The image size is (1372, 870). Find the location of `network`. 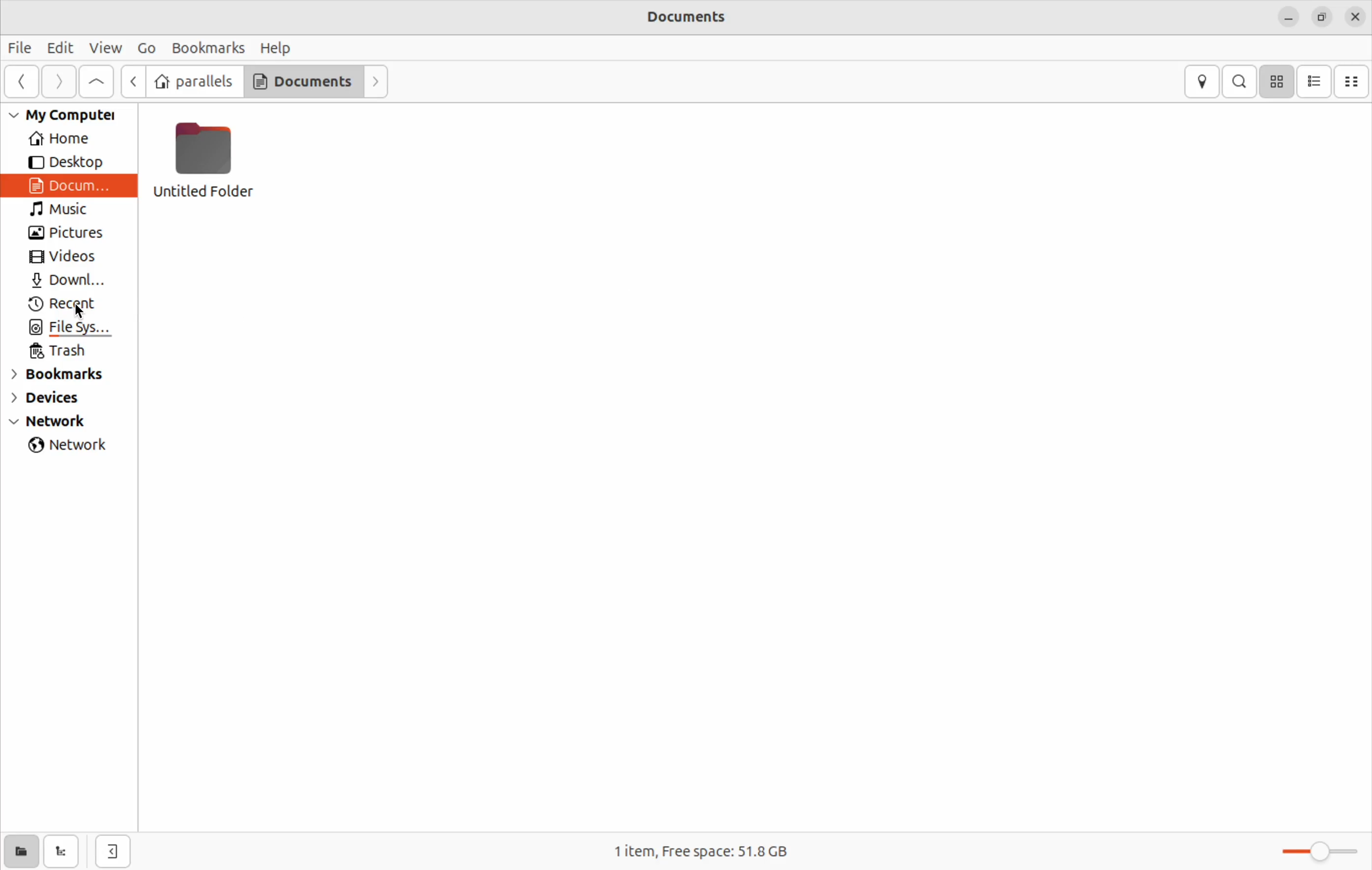

network is located at coordinates (70, 445).